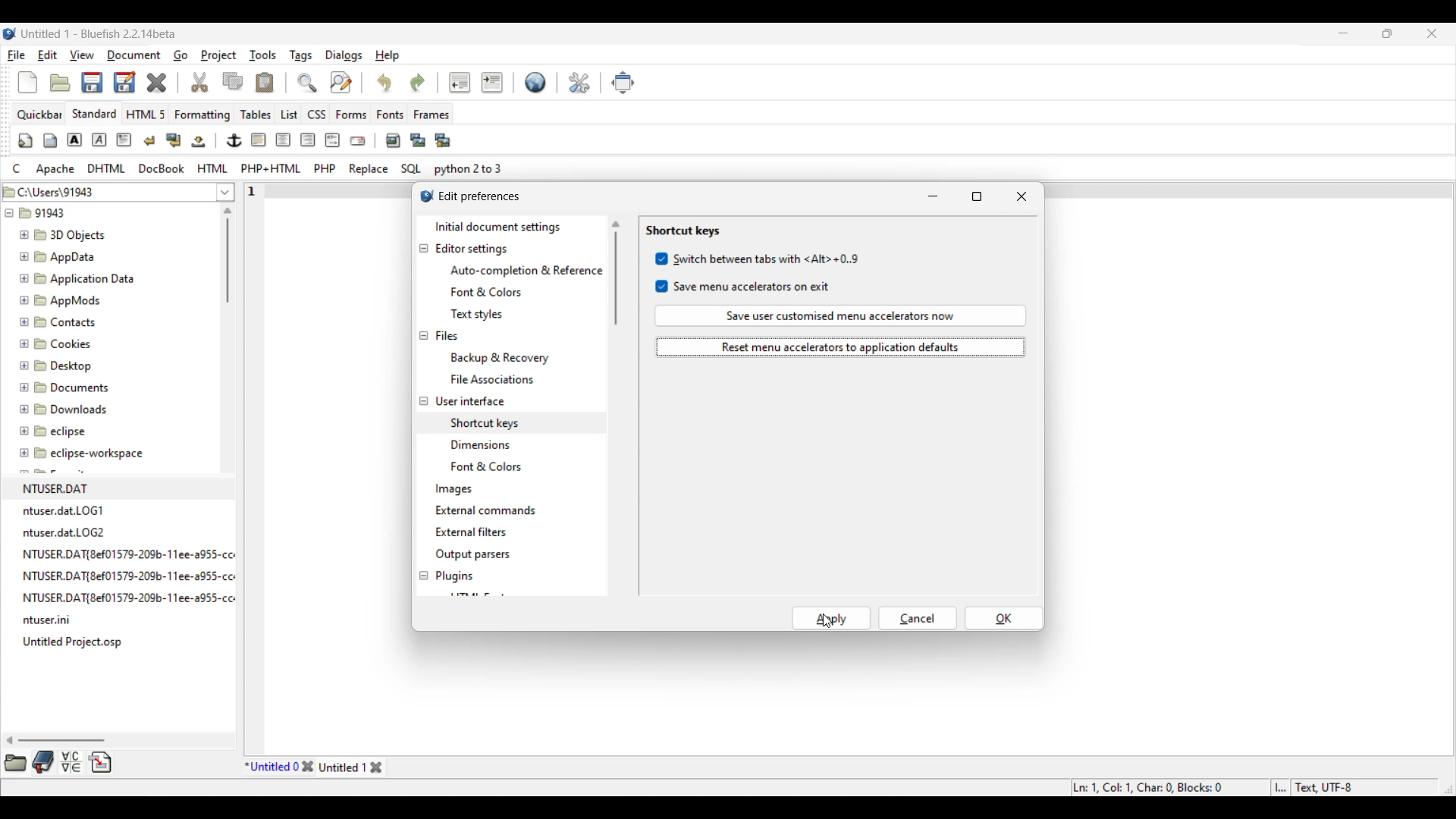 The height and width of the screenshot is (819, 1456). What do you see at coordinates (744, 287) in the screenshot?
I see `Save menu accelerators on exit` at bounding box center [744, 287].